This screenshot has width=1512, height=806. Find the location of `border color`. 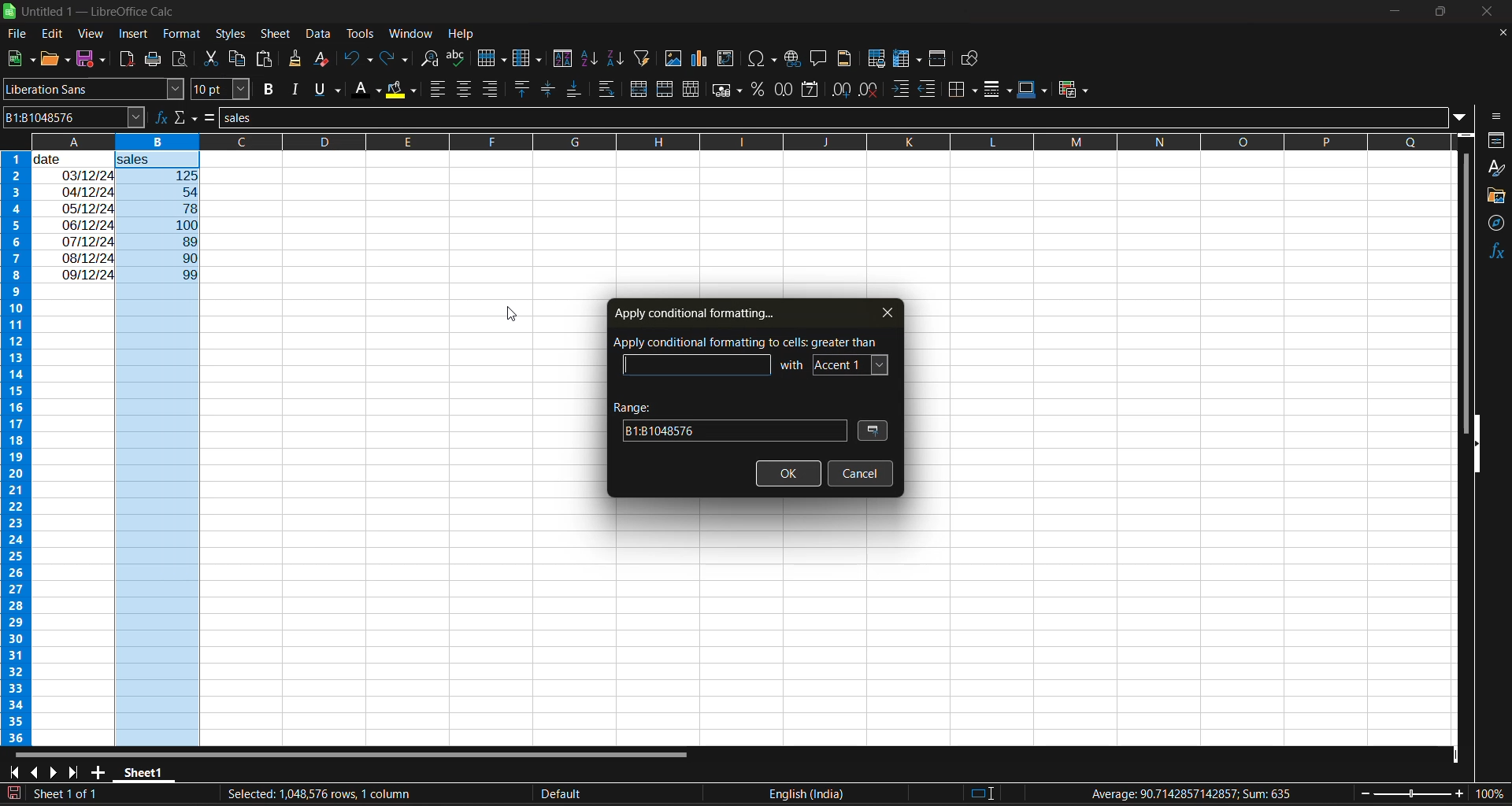

border color is located at coordinates (1032, 90).